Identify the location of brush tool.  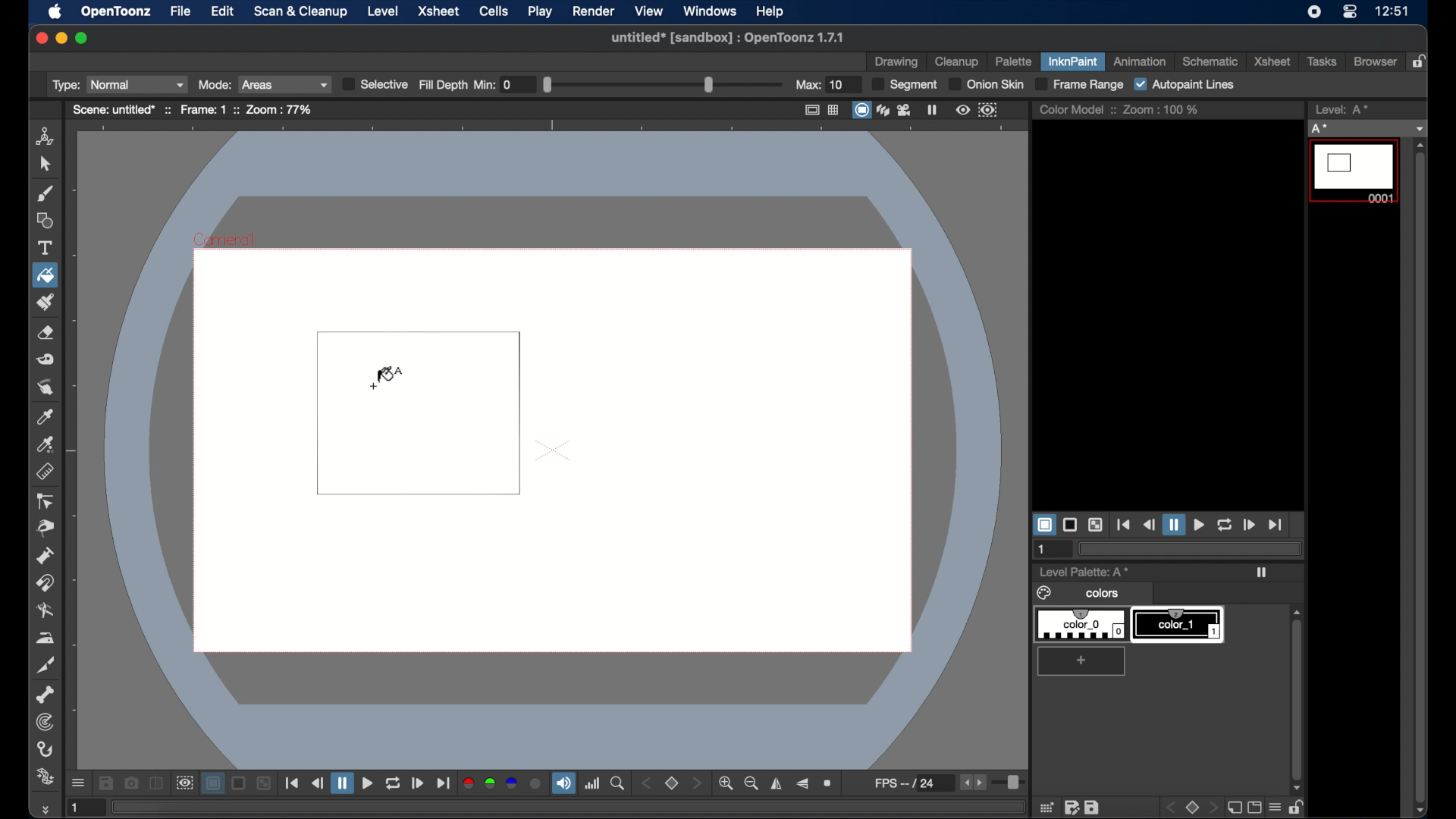
(45, 194).